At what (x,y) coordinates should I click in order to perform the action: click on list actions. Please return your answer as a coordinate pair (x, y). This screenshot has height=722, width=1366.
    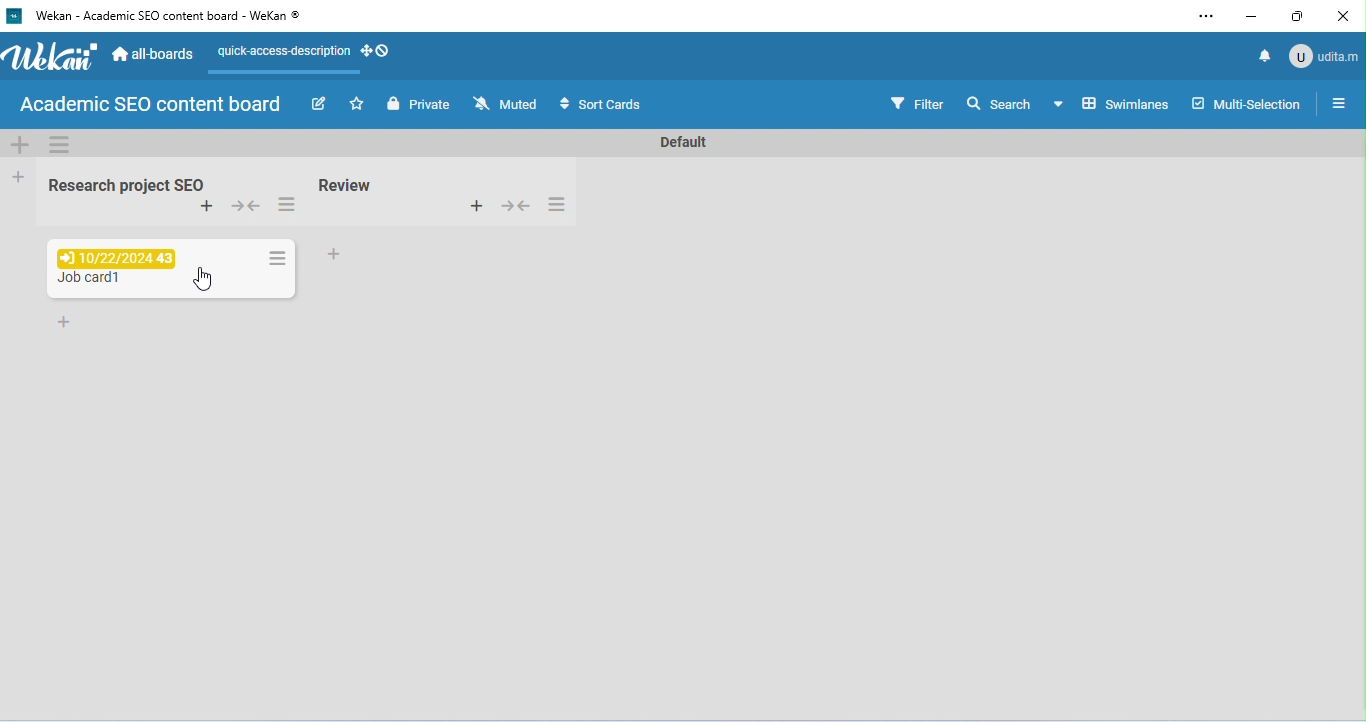
    Looking at the image, I should click on (285, 206).